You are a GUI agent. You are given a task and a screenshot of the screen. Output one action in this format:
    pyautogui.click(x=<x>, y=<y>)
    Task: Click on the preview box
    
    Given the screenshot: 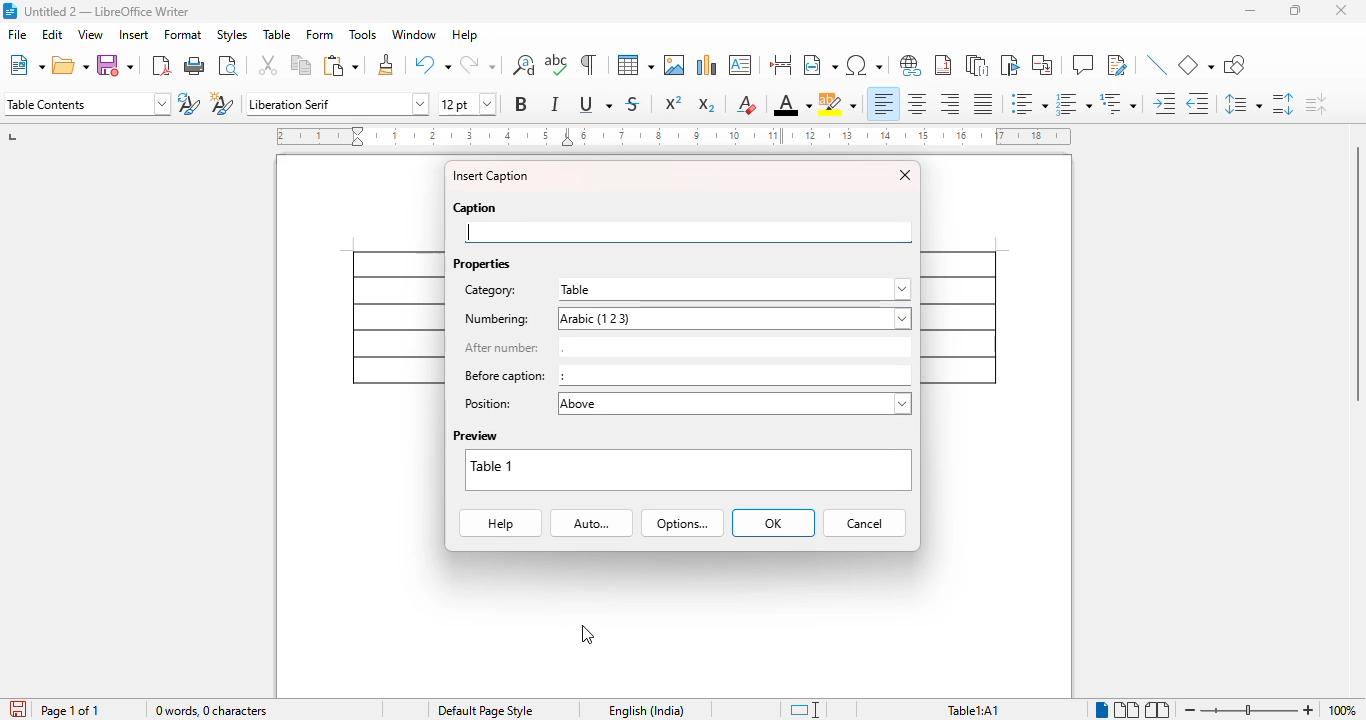 What is the action you would take?
    pyautogui.click(x=689, y=470)
    